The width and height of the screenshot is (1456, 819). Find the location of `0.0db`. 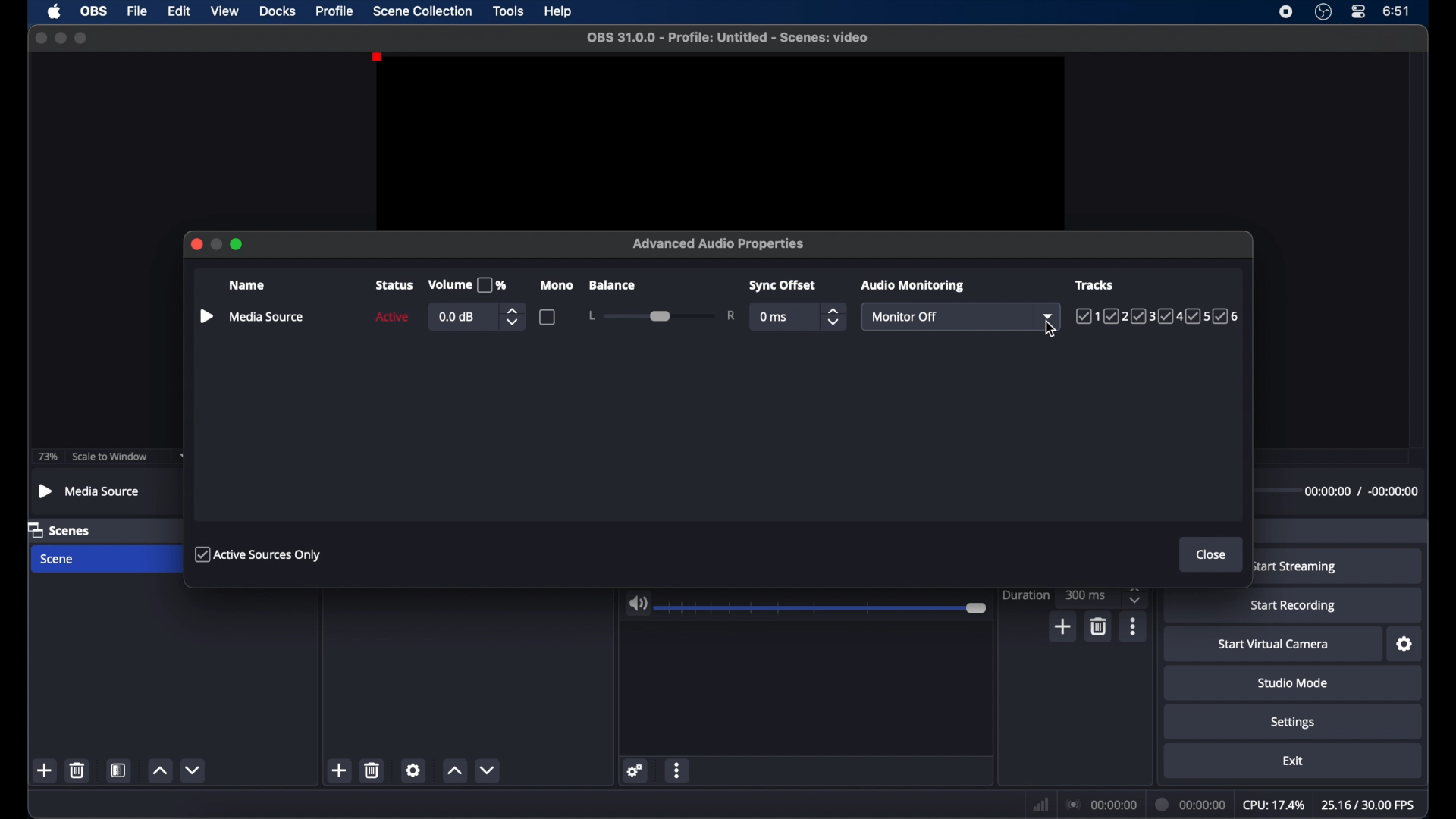

0.0db is located at coordinates (459, 317).